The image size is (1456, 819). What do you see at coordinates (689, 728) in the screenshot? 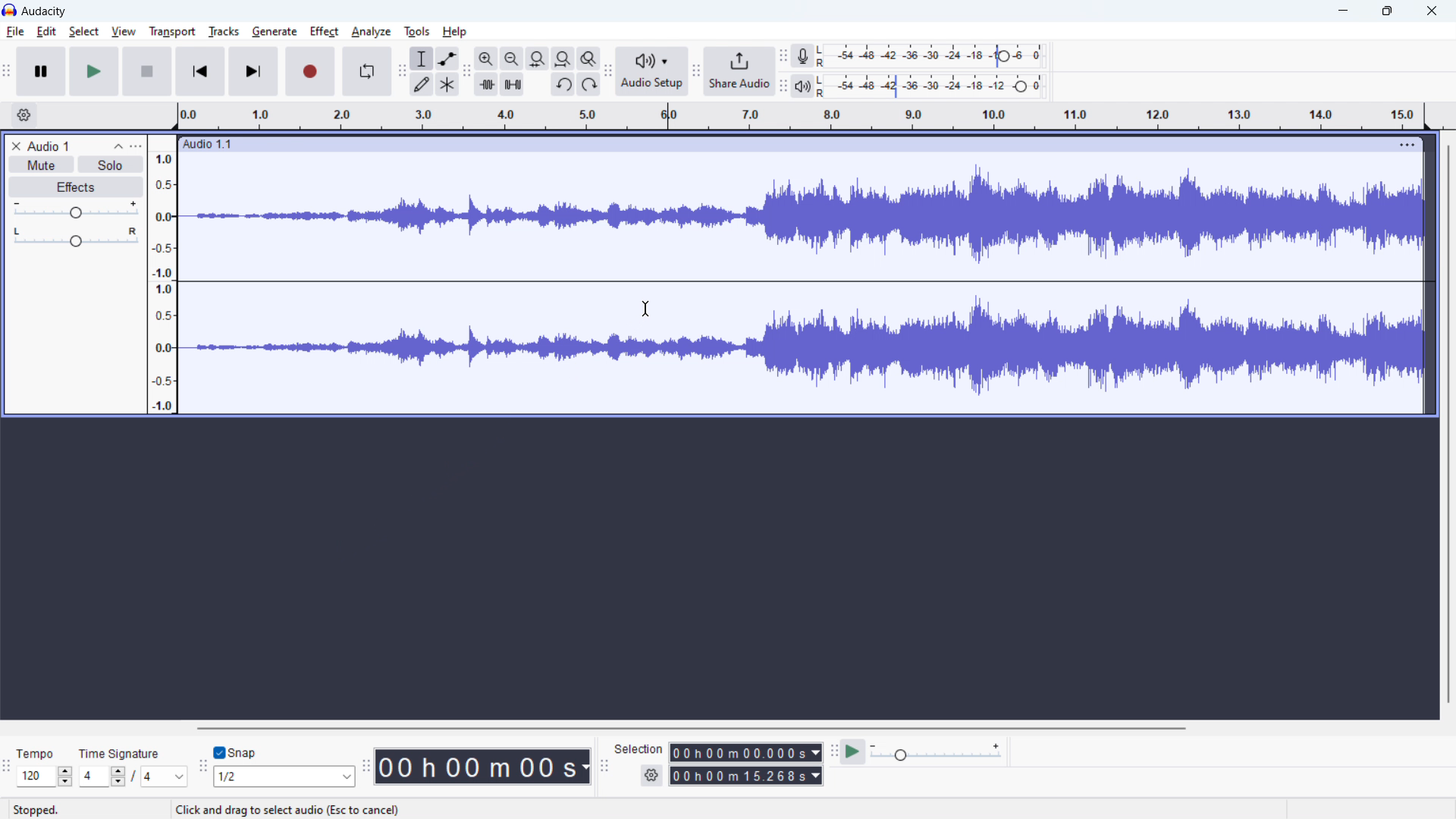
I see `horizontal scrollbar` at bounding box center [689, 728].